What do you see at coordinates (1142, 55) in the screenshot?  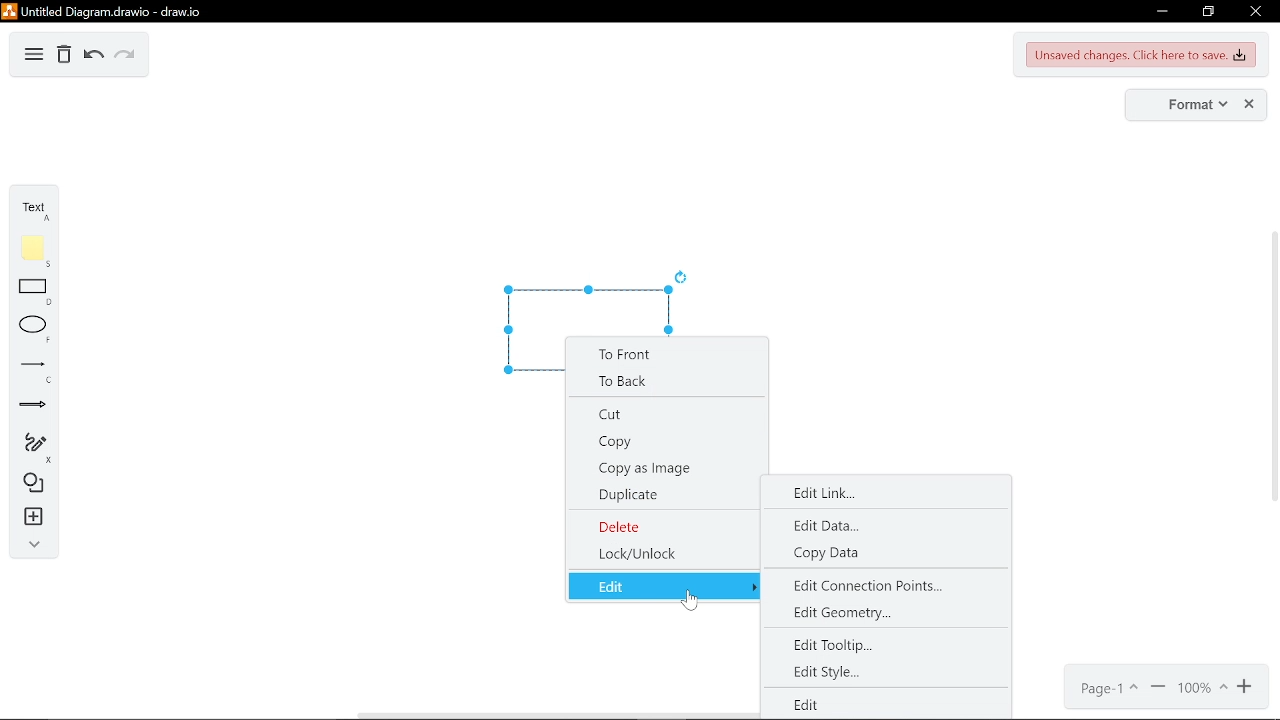 I see `unsaved changes. Click here to save ` at bounding box center [1142, 55].